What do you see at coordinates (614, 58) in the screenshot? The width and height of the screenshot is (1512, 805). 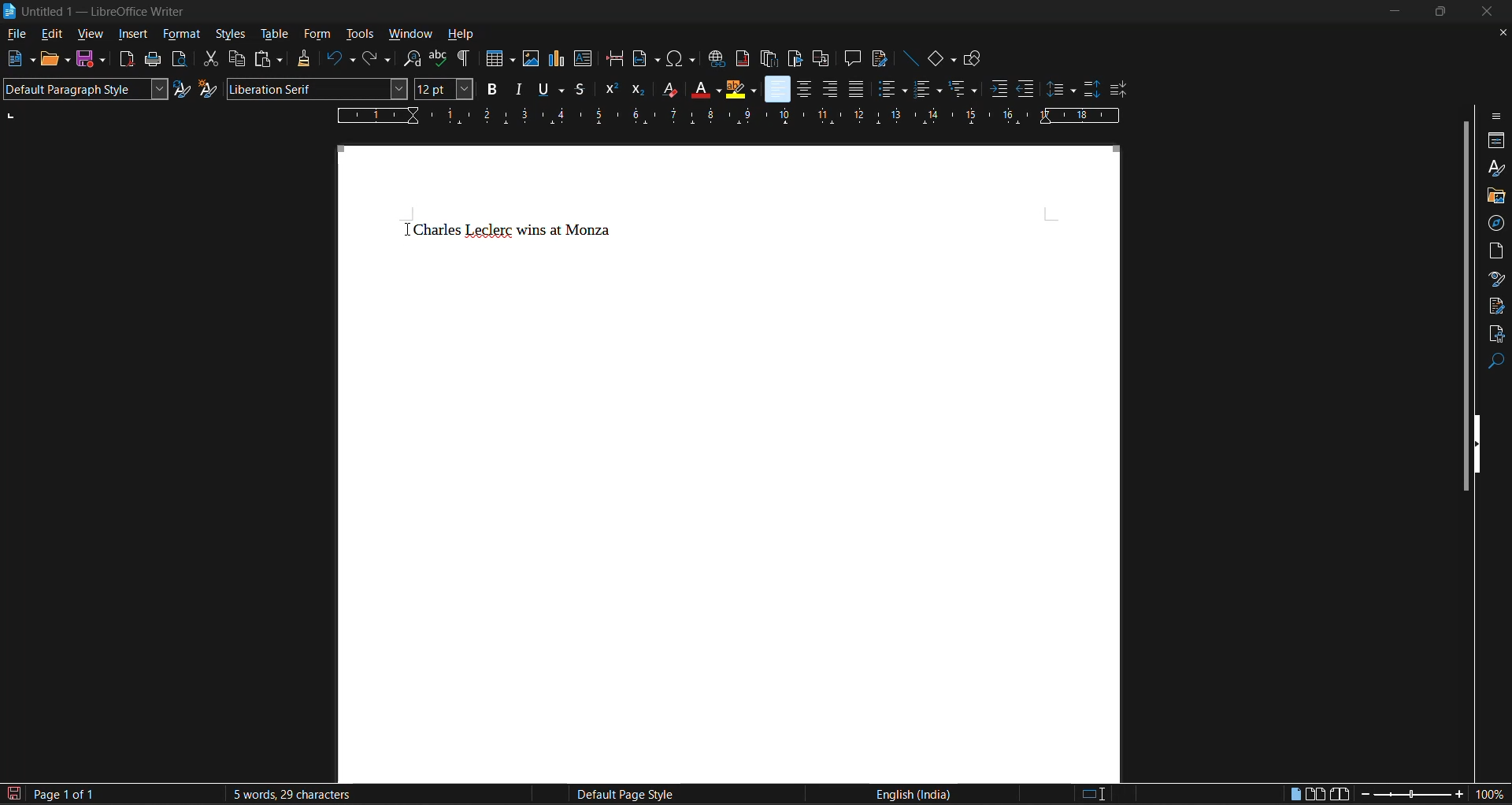 I see `insert page break` at bounding box center [614, 58].